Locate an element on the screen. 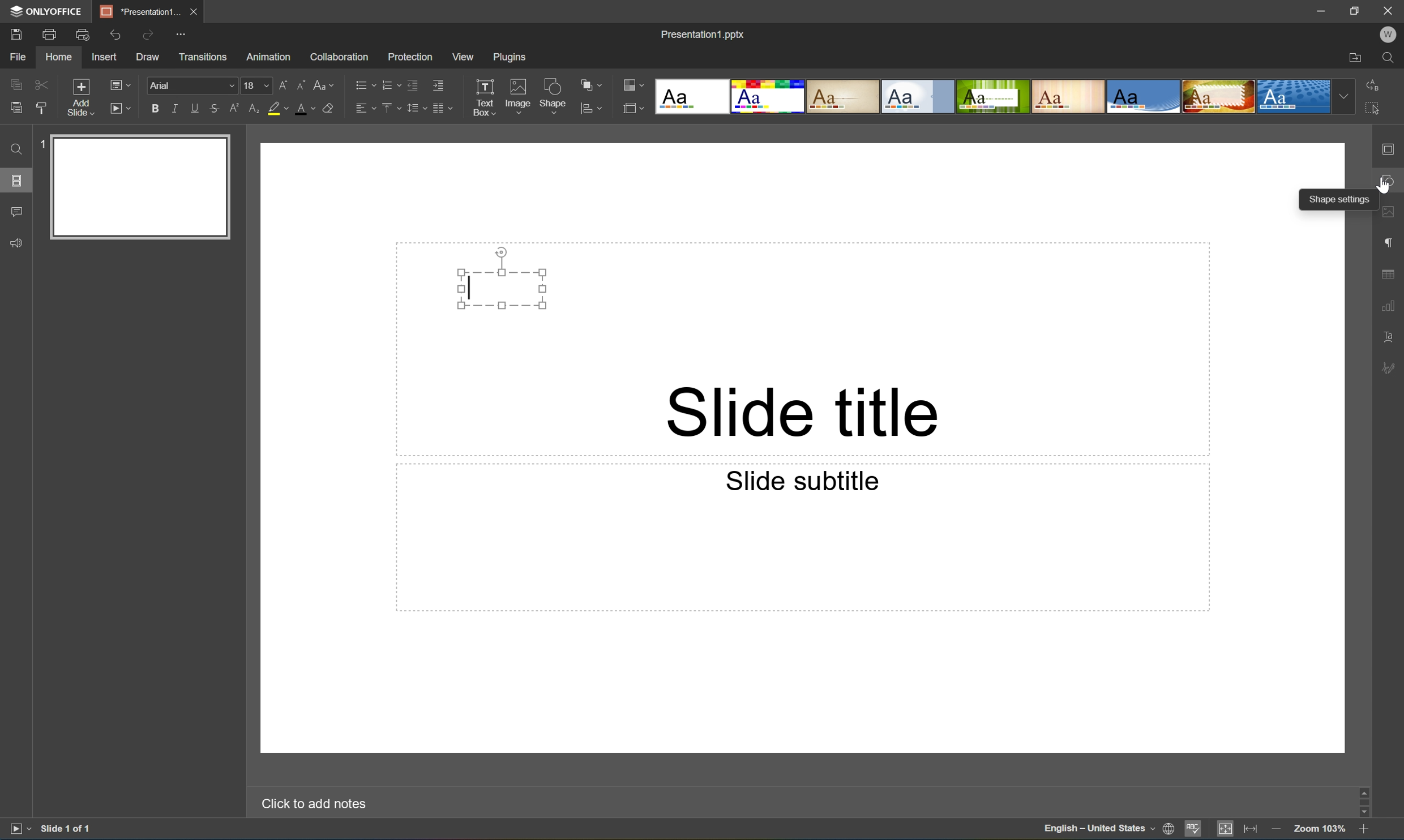  ONYOFFICE is located at coordinates (44, 11).